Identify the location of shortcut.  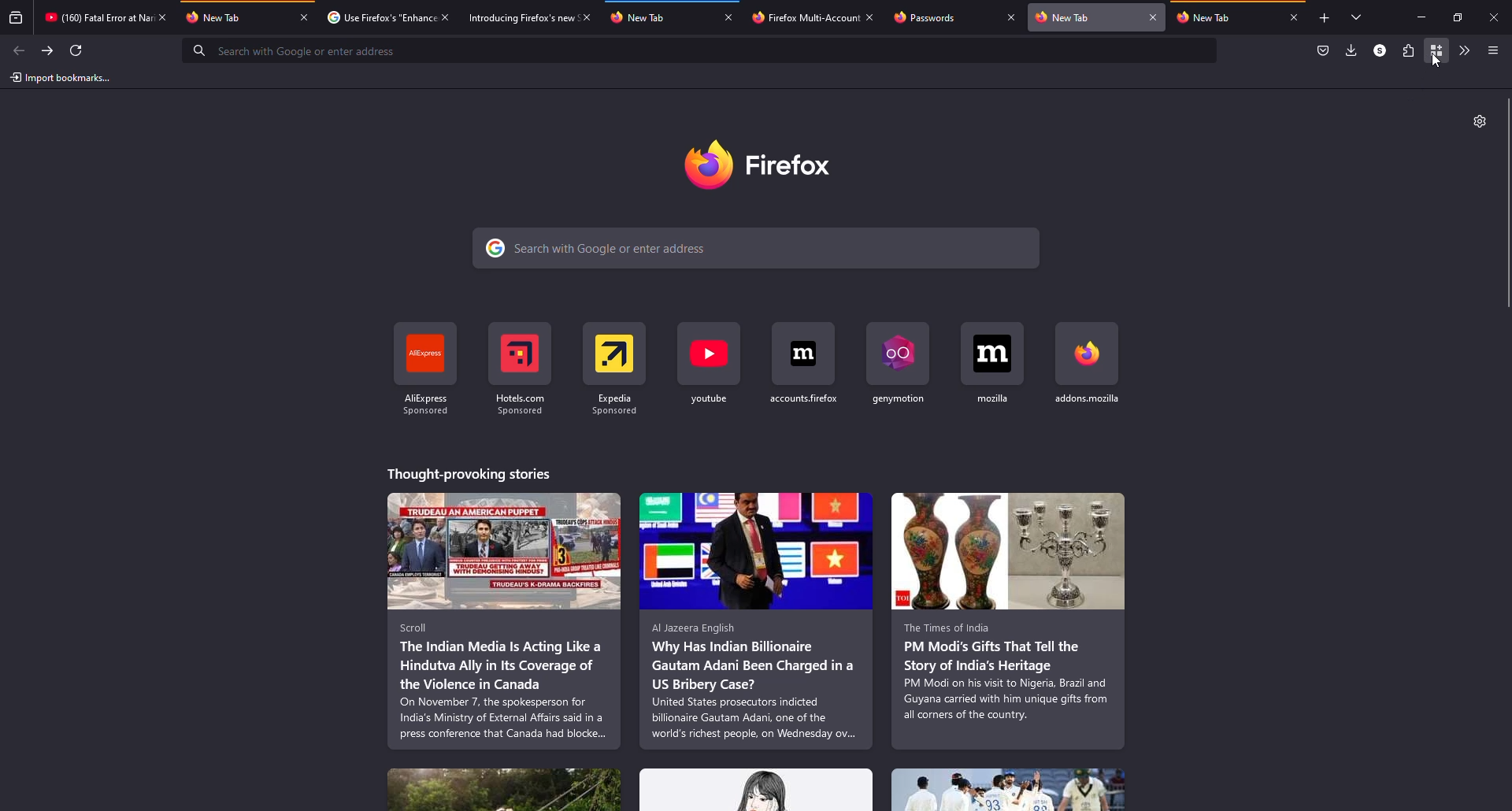
(995, 364).